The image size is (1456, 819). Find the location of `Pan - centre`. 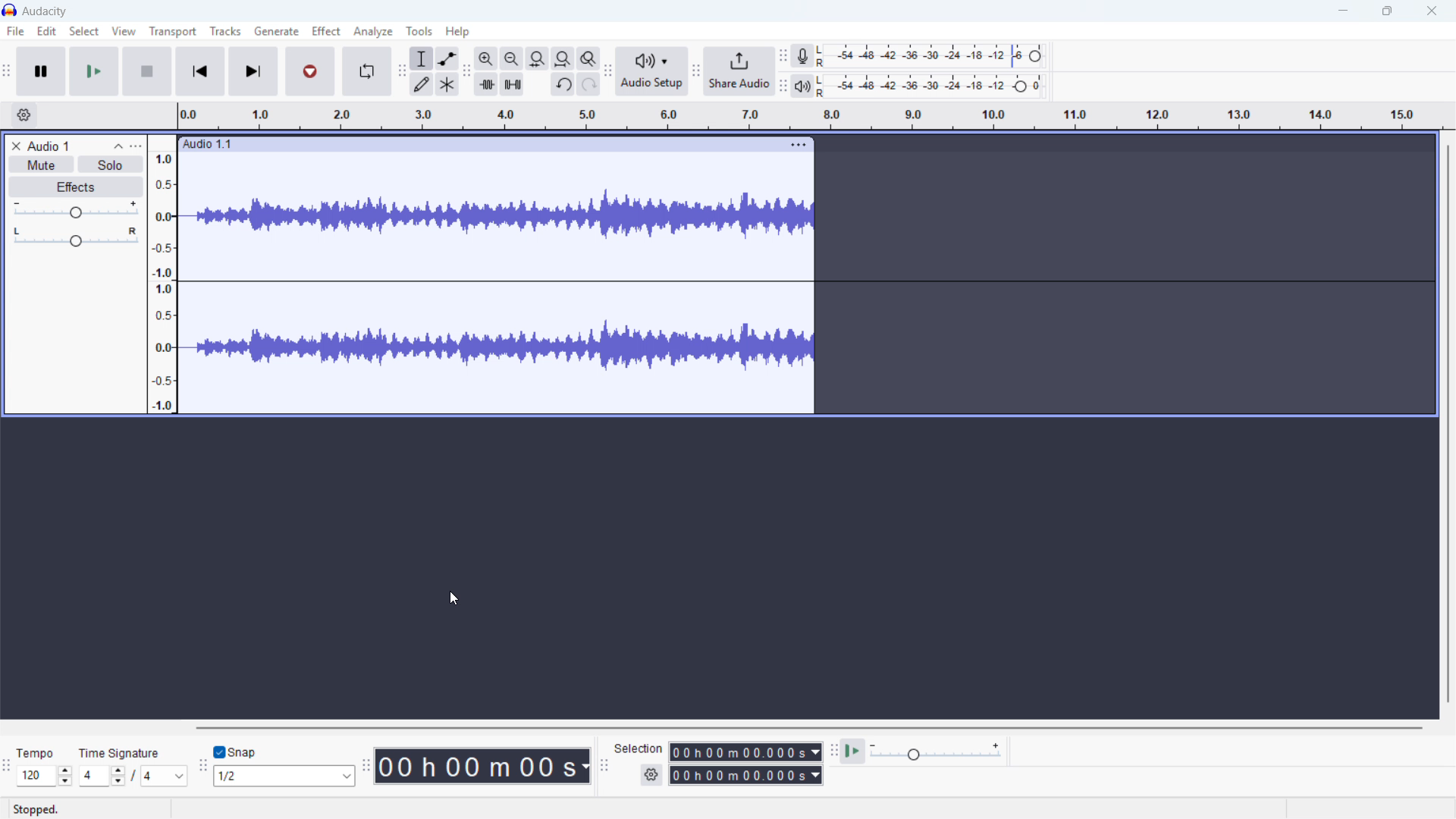

Pan - centre is located at coordinates (76, 238).